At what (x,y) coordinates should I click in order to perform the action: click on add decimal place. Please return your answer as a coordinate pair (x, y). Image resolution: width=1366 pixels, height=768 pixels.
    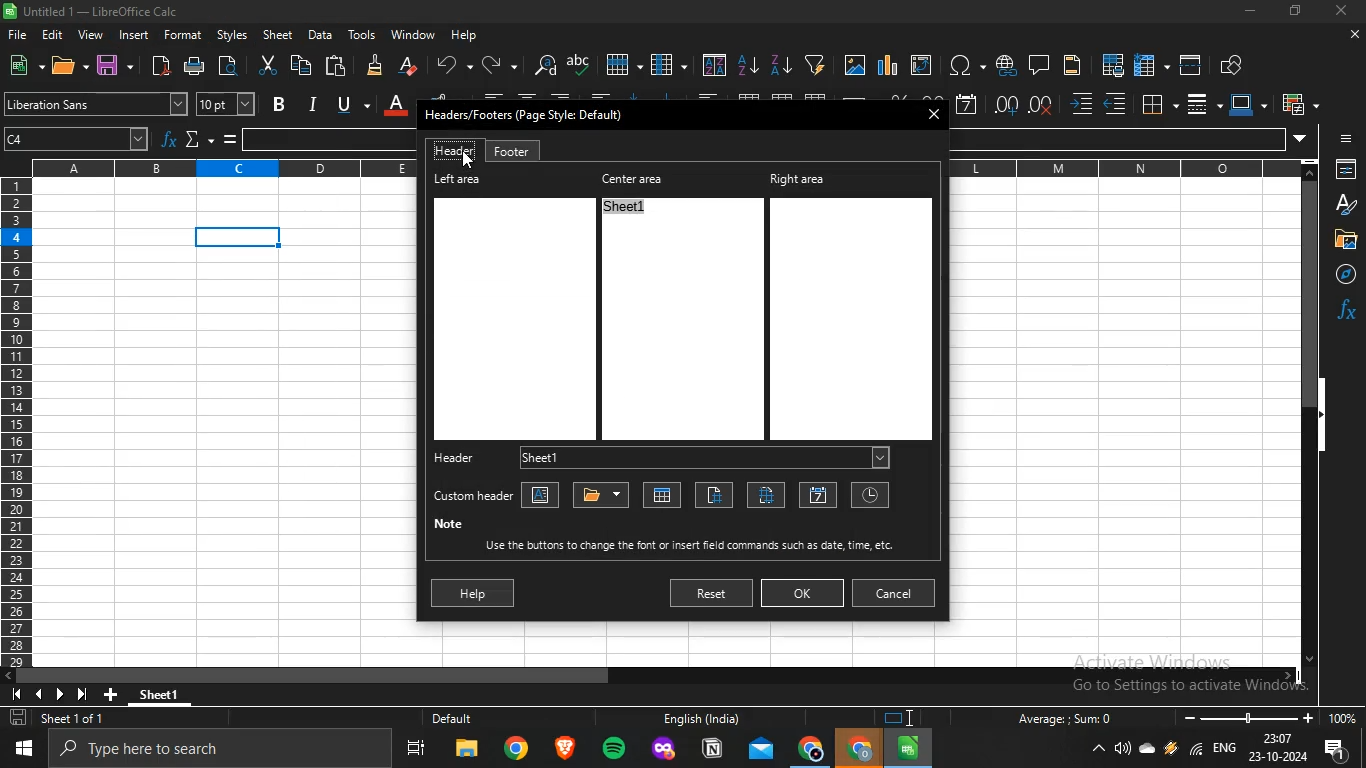
    Looking at the image, I should click on (1007, 105).